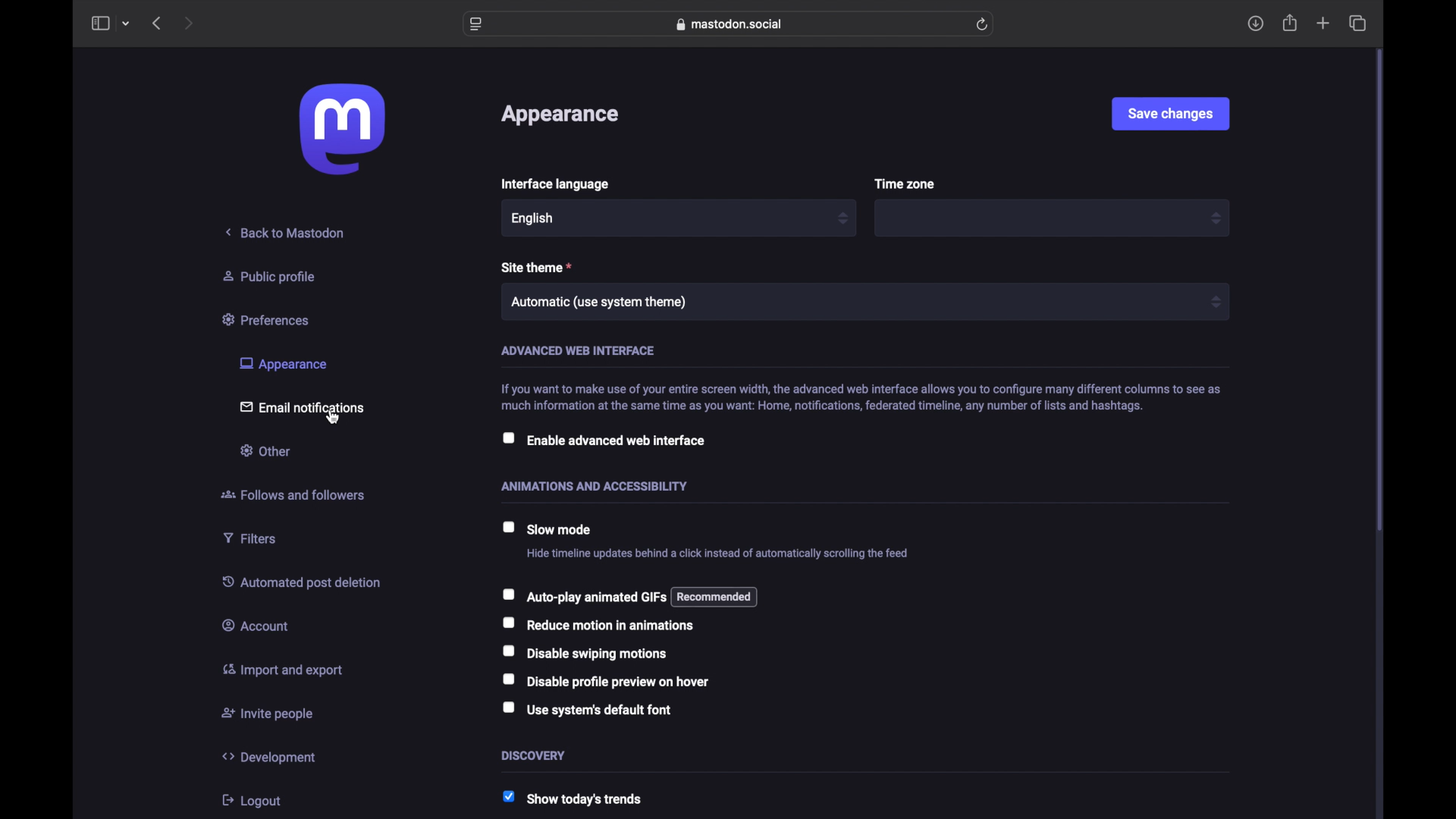 The image size is (1456, 819). I want to click on other, so click(264, 450).